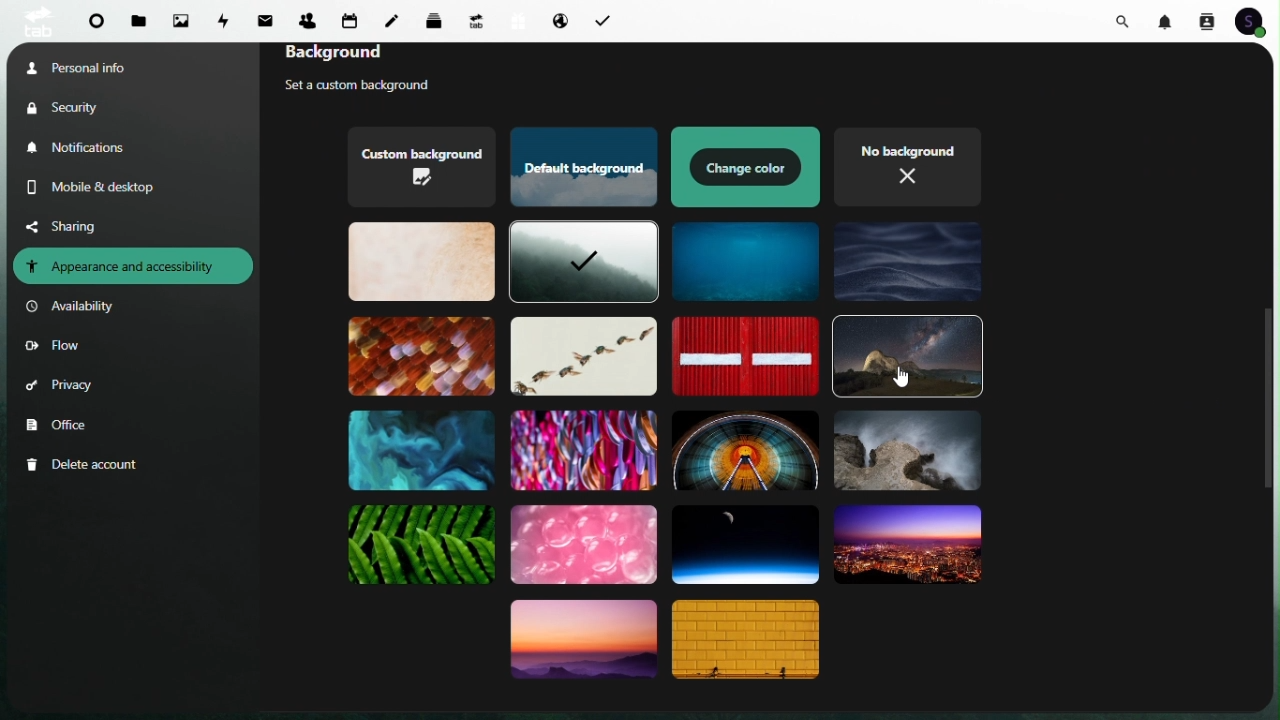 This screenshot has width=1280, height=720. I want to click on availability, so click(75, 307).